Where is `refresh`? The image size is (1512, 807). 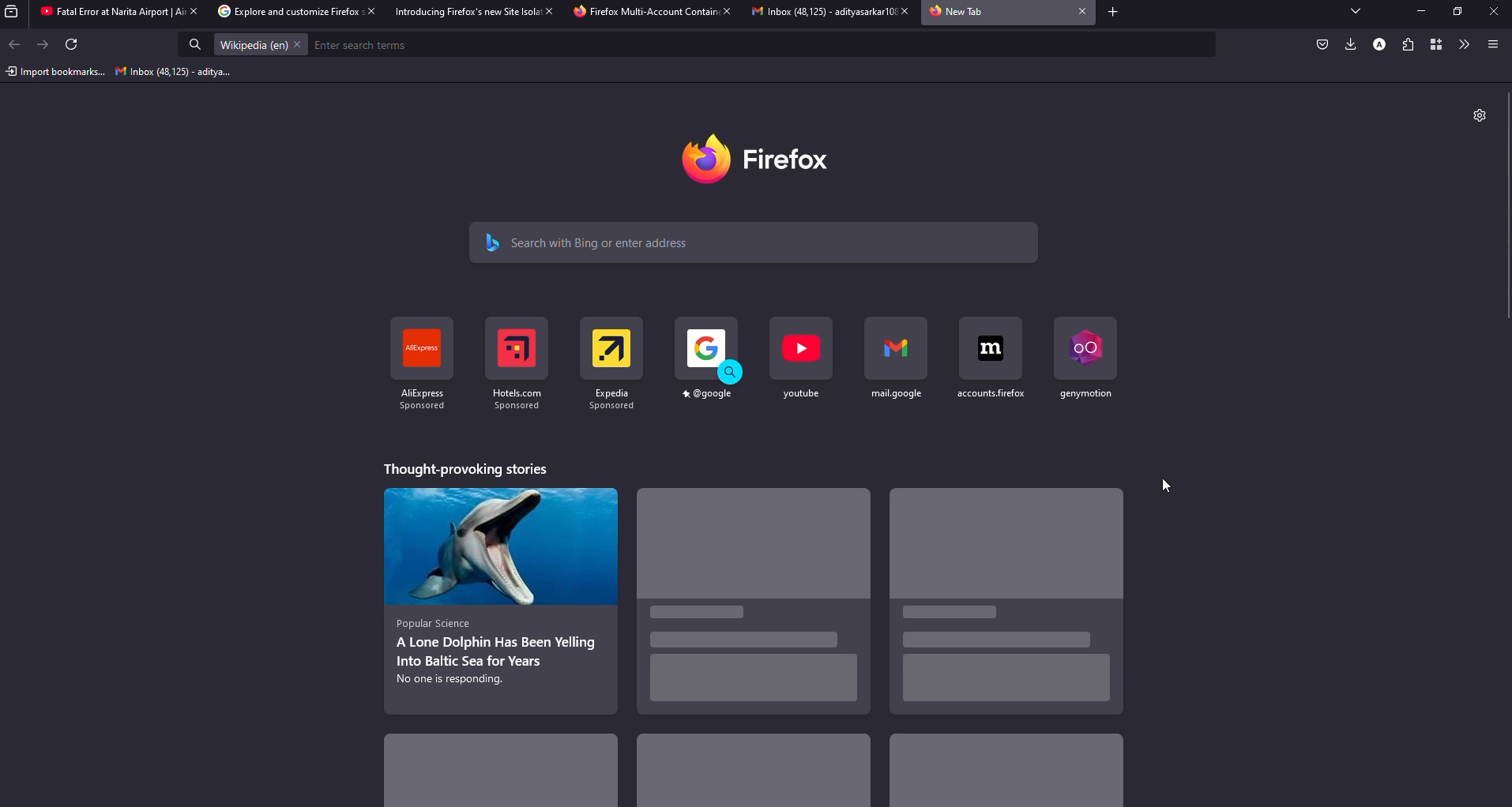 refresh is located at coordinates (73, 46).